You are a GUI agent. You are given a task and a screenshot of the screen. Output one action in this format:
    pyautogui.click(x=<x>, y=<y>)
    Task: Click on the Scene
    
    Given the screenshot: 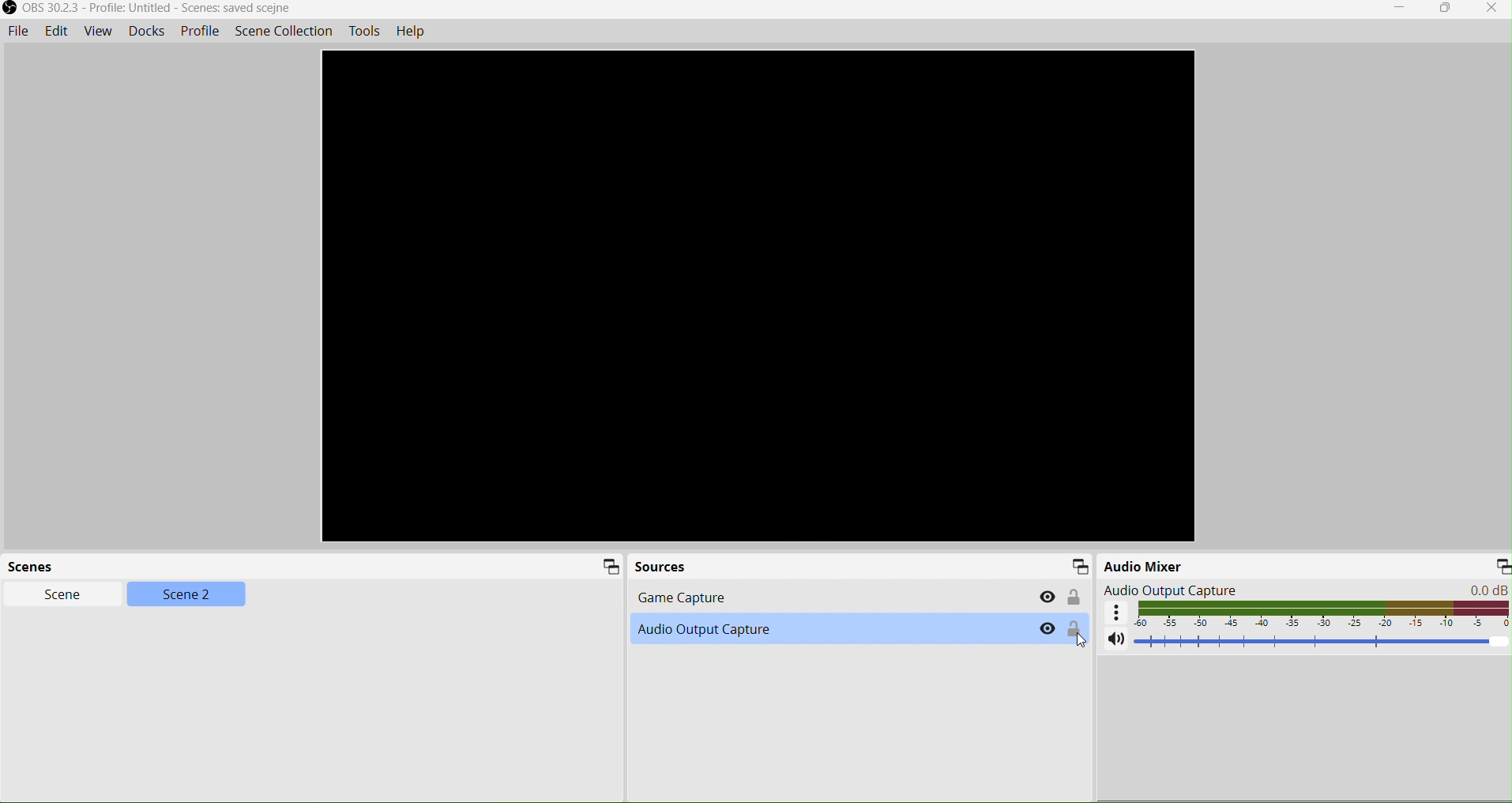 What is the action you would take?
    pyautogui.click(x=55, y=597)
    